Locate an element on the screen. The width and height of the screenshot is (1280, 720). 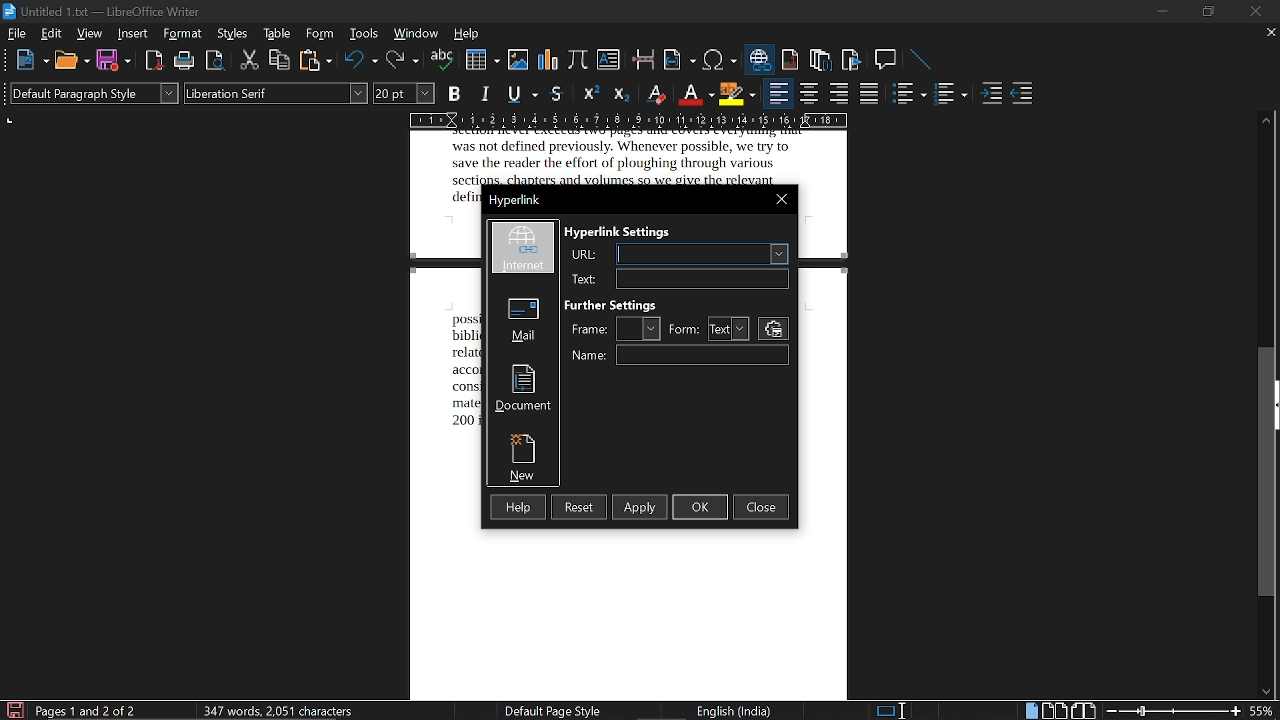
close is located at coordinates (763, 506).